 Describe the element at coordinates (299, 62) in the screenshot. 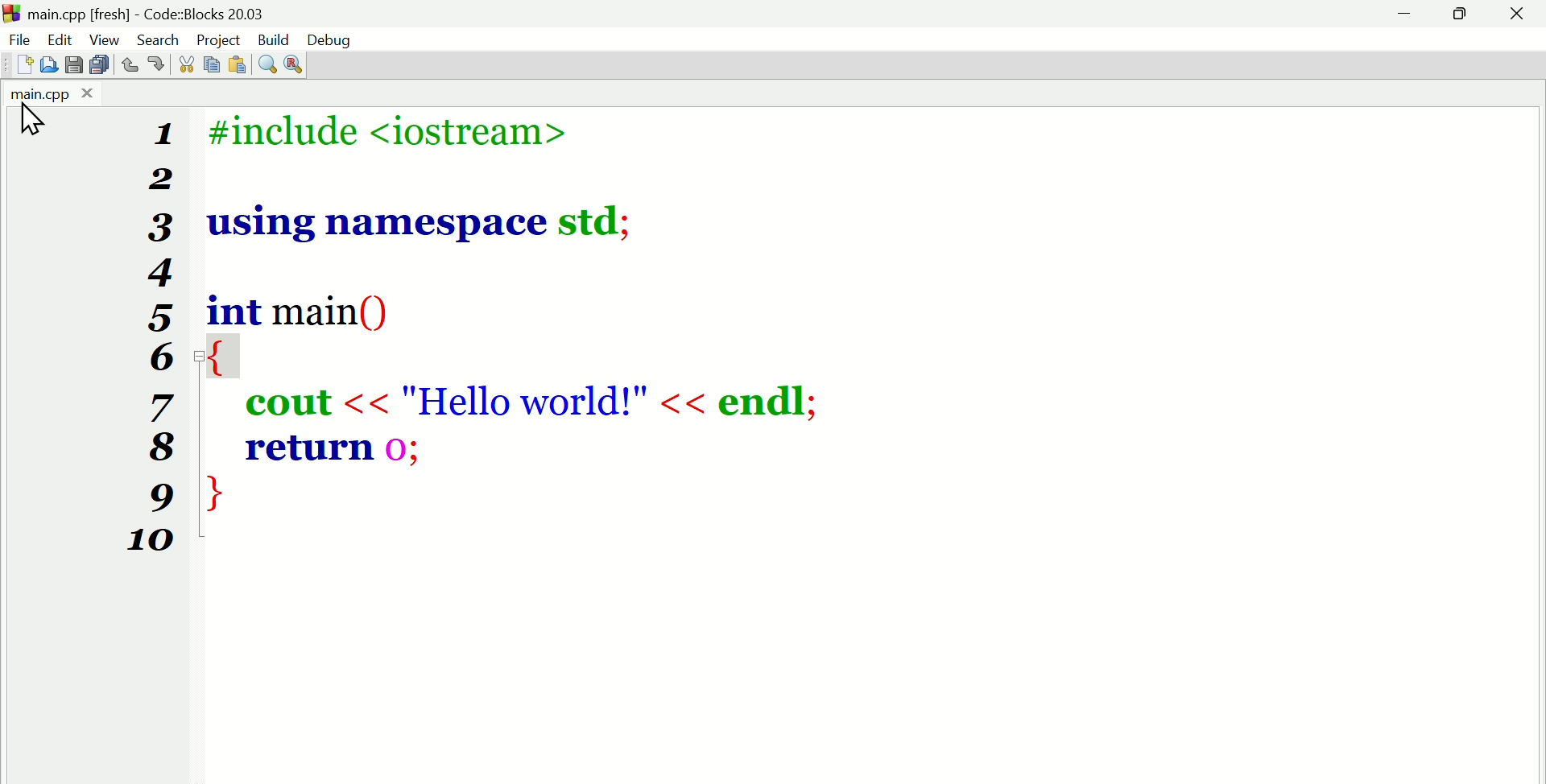

I see `Replace` at that location.